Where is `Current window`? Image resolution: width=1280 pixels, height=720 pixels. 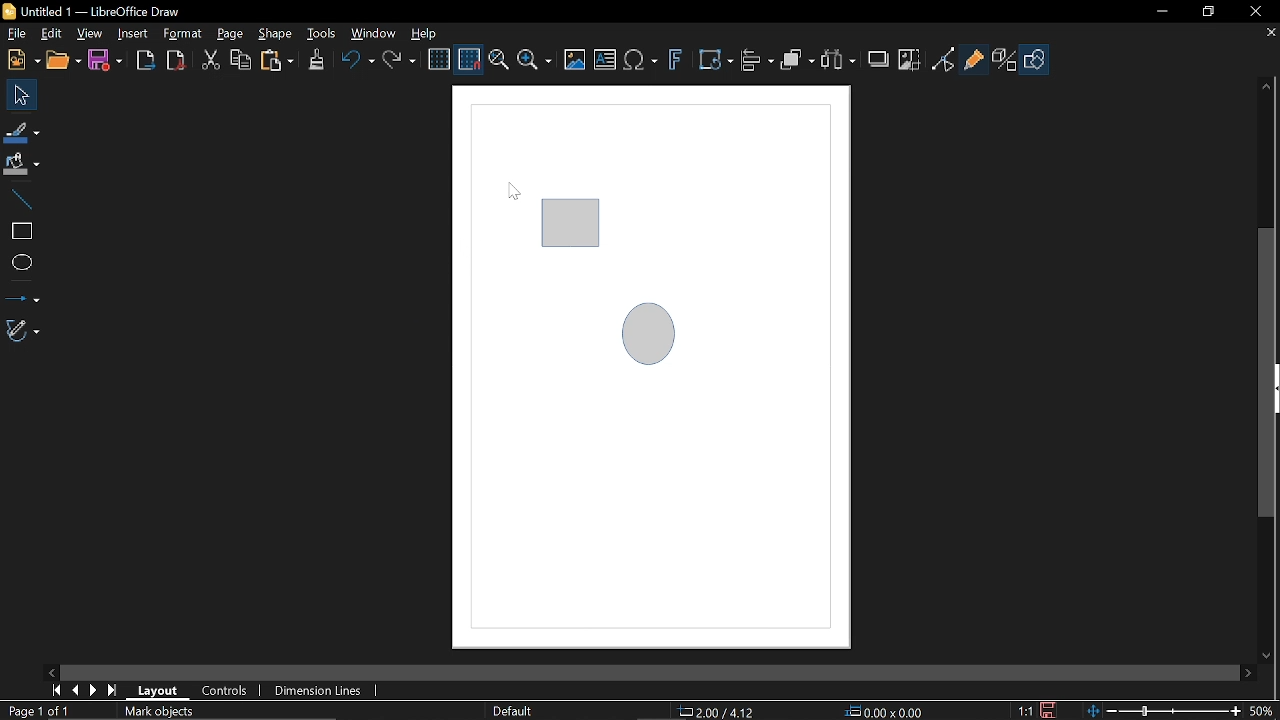 Current window is located at coordinates (100, 11).